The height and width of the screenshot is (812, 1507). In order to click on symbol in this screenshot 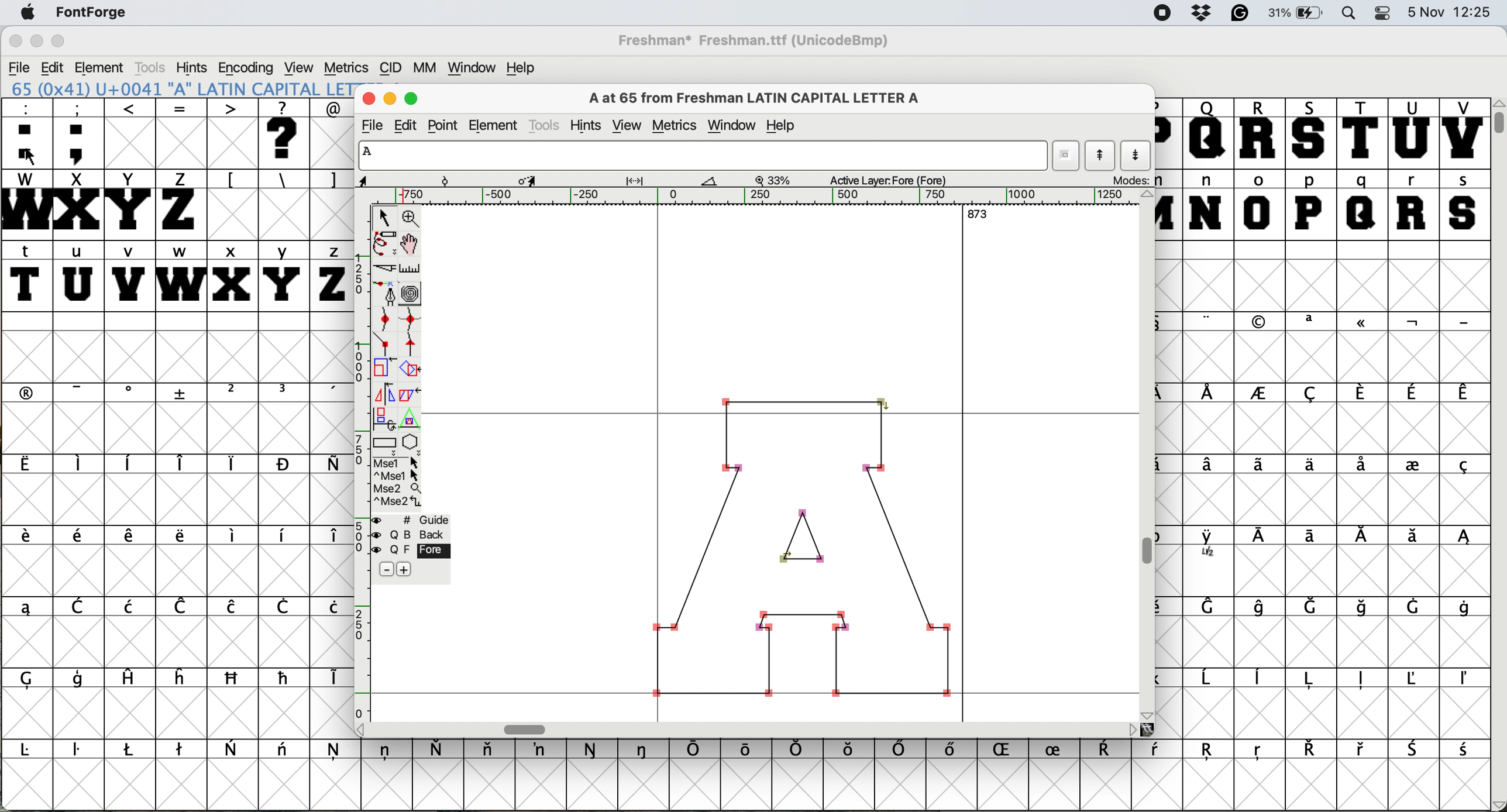, I will do `click(29, 392)`.